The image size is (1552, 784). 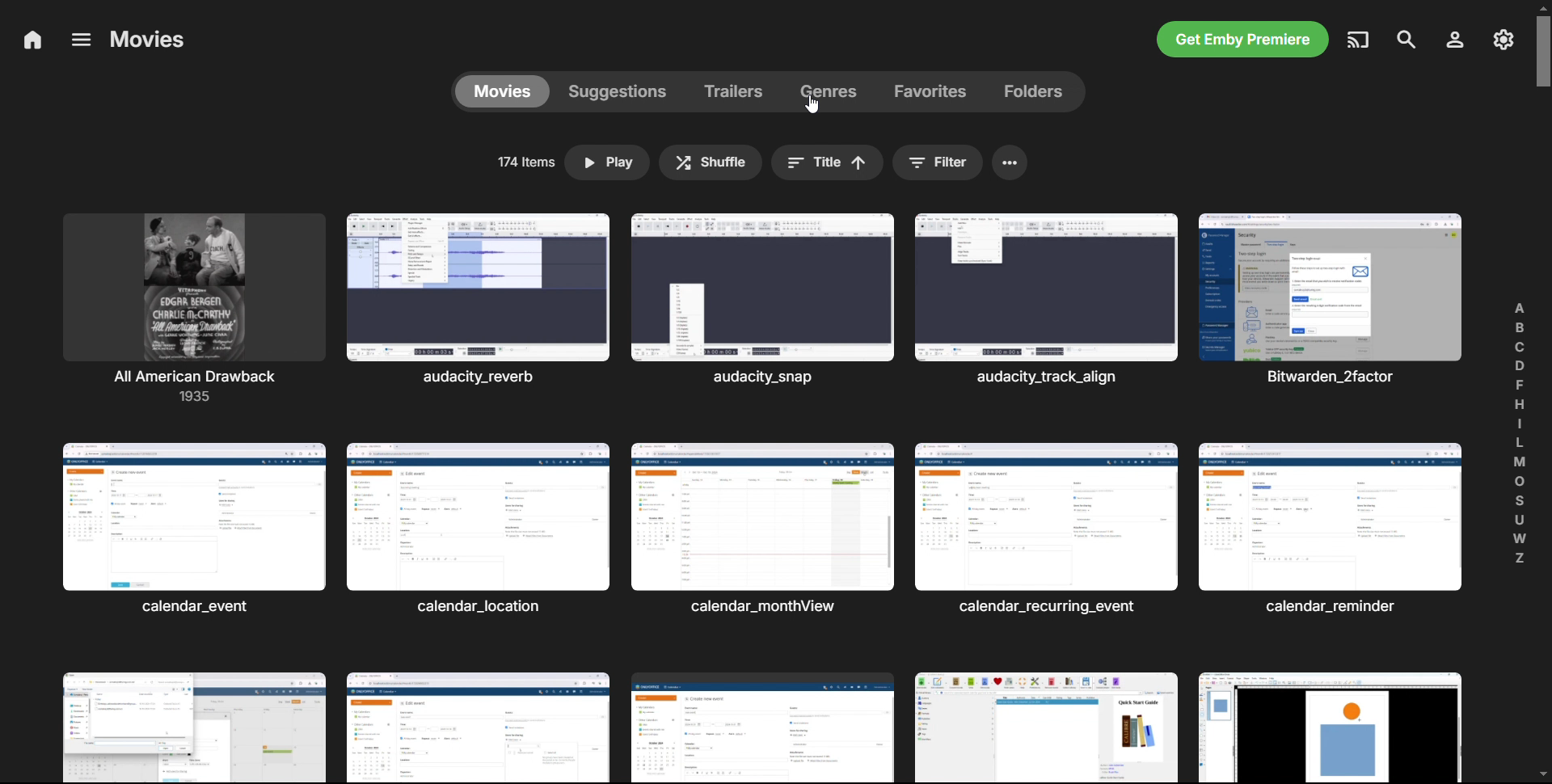 I want to click on play, so click(x=606, y=163).